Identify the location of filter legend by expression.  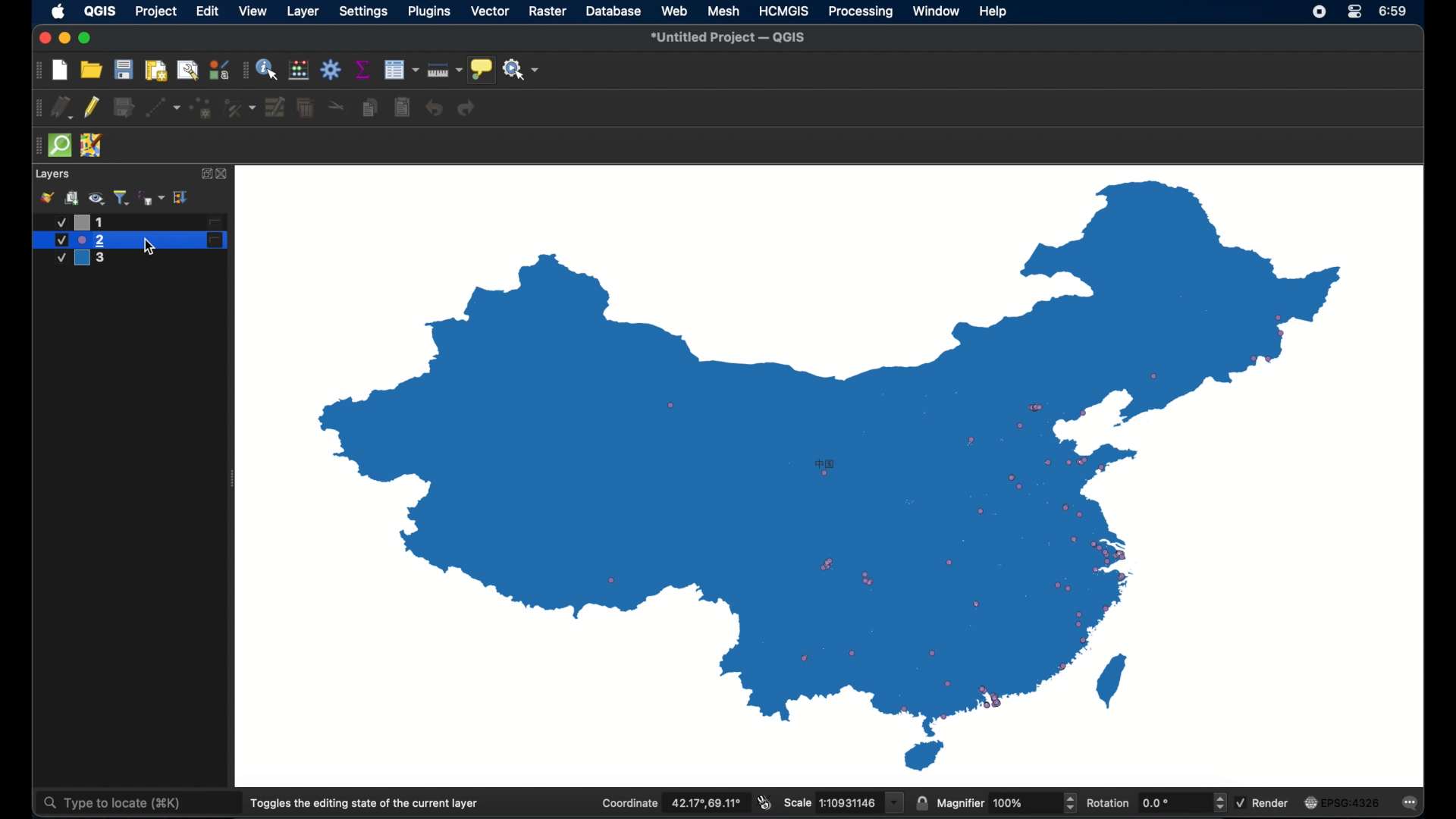
(152, 198).